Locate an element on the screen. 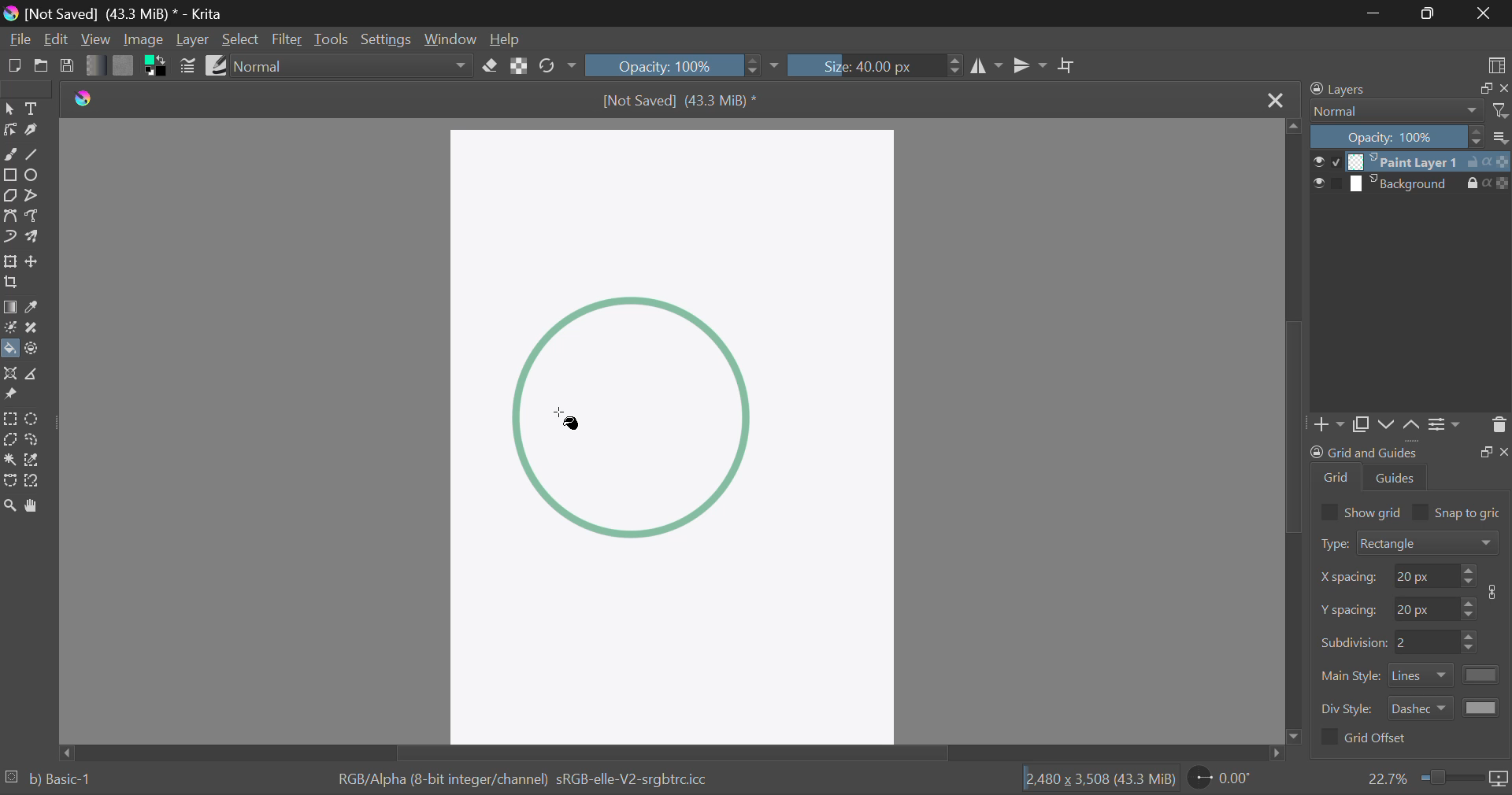 This screenshot has height=795, width=1512. Colorize Mask Tool is located at coordinates (10, 328).